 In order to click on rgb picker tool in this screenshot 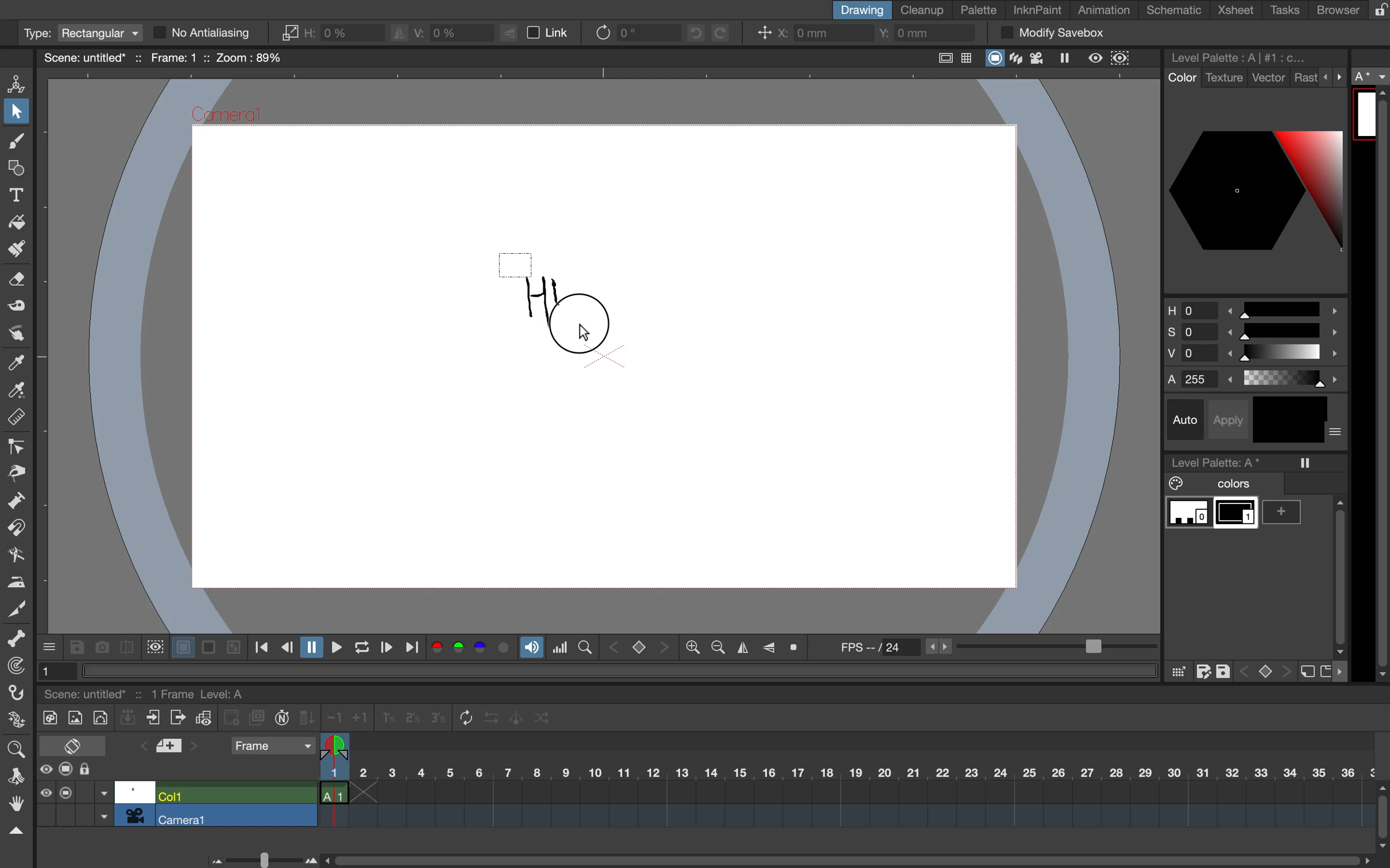, I will do `click(14, 391)`.